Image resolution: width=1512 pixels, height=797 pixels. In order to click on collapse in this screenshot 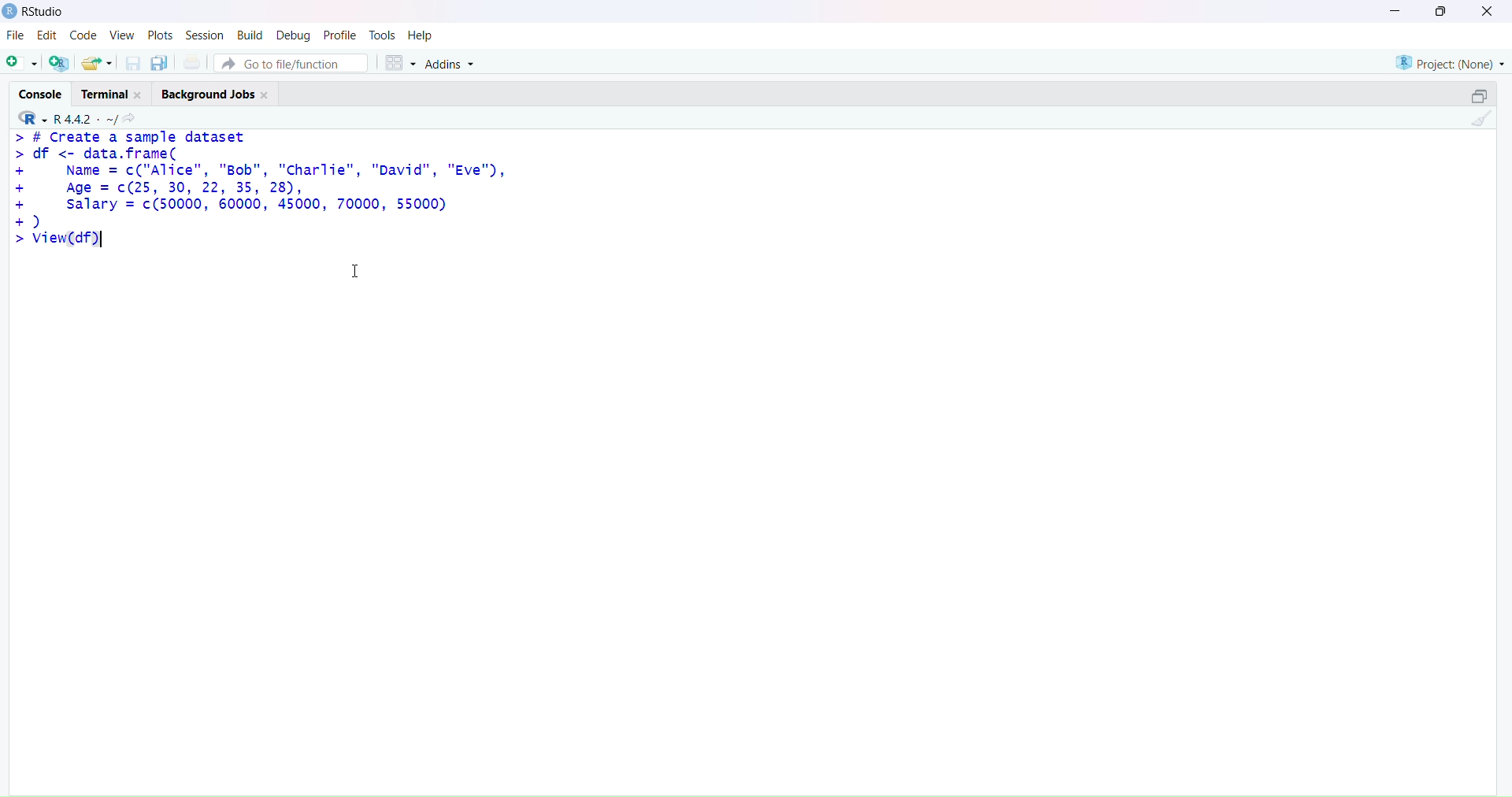, I will do `click(1477, 96)`.